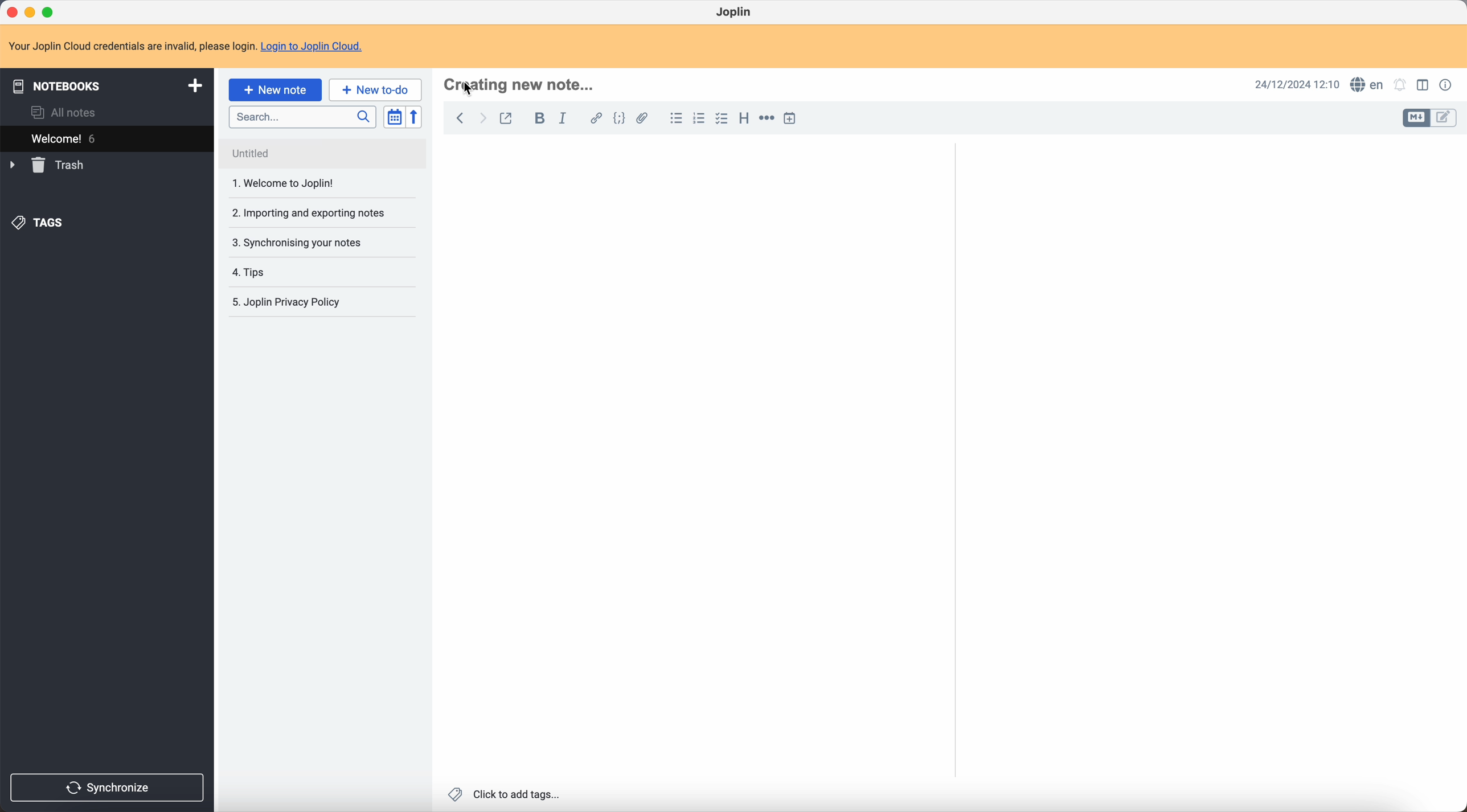 Image resolution: width=1467 pixels, height=812 pixels. Describe the element at coordinates (375, 89) in the screenshot. I see `new to-do` at that location.